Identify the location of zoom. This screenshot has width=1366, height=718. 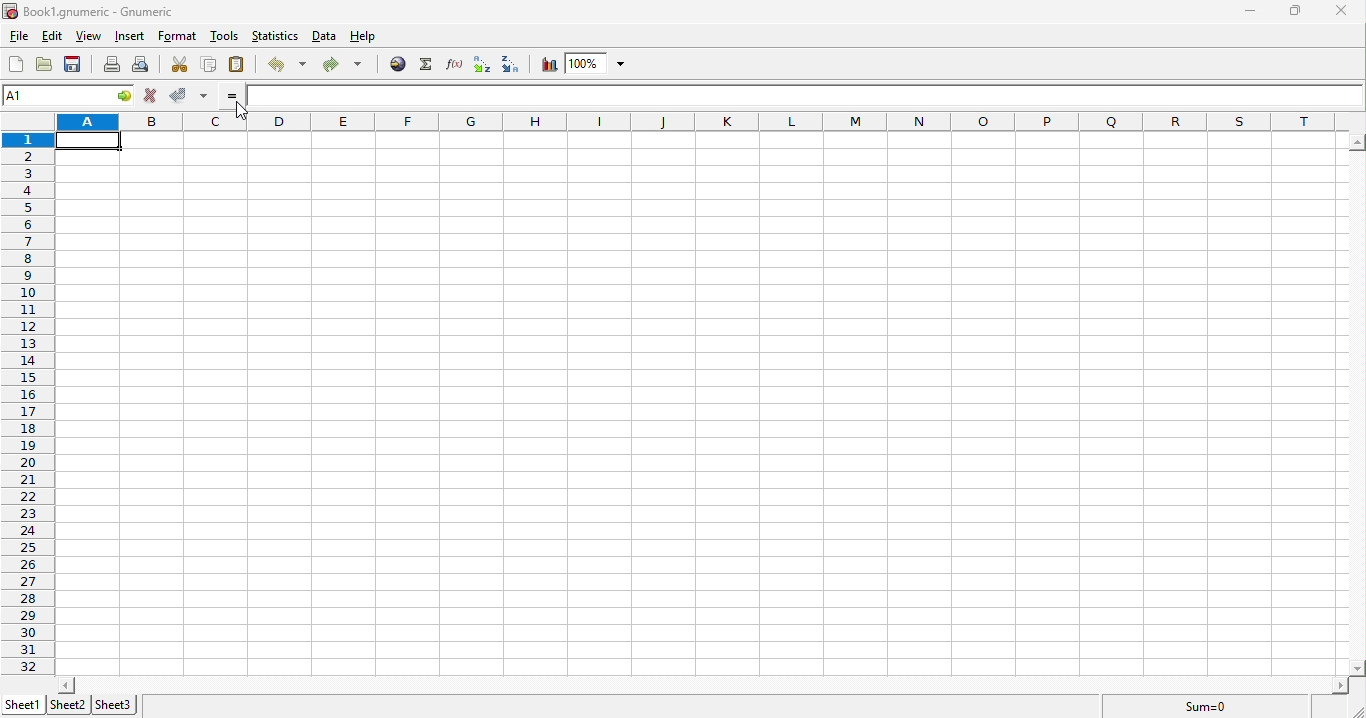
(601, 63).